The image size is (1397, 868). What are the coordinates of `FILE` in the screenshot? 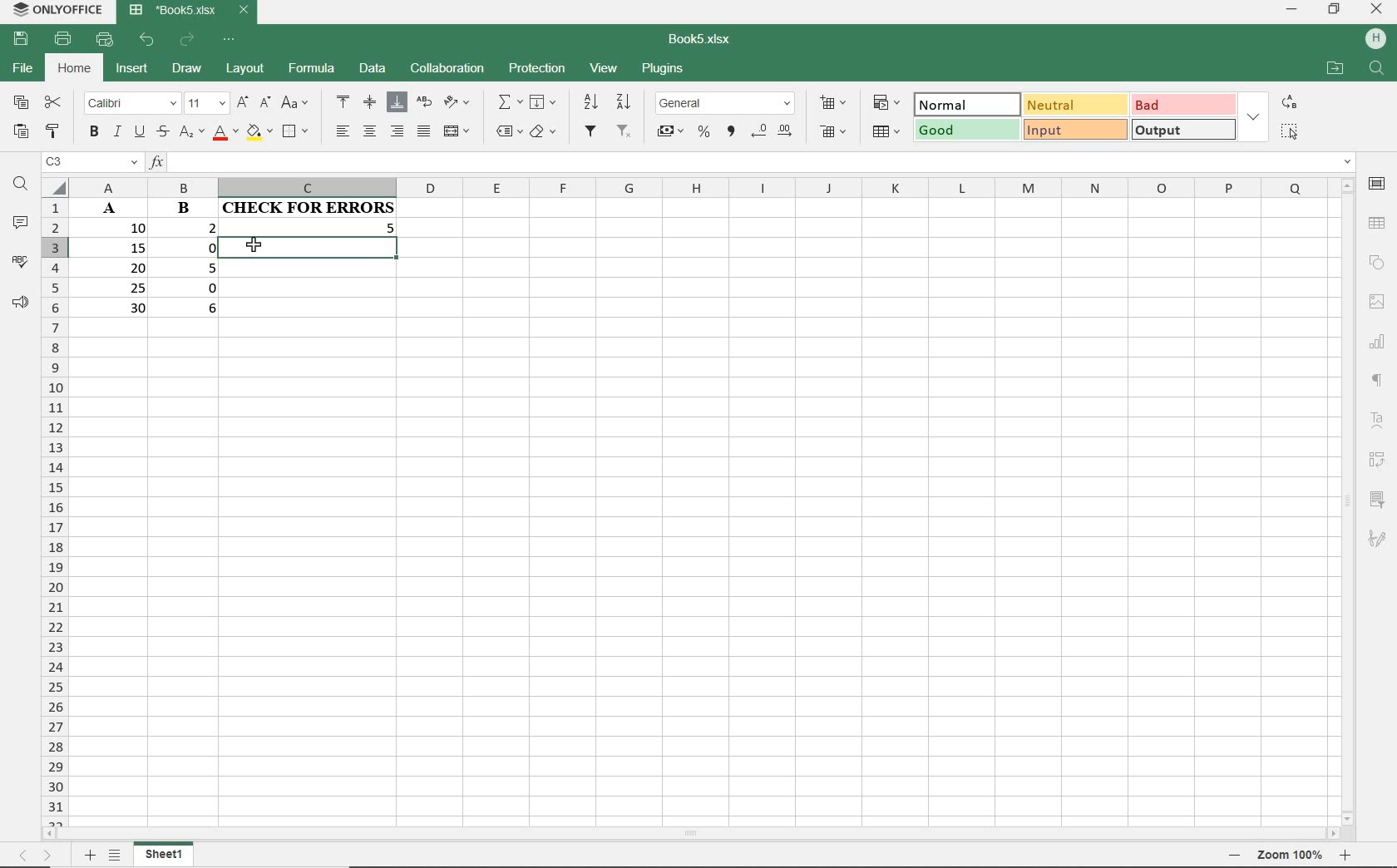 It's located at (20, 68).